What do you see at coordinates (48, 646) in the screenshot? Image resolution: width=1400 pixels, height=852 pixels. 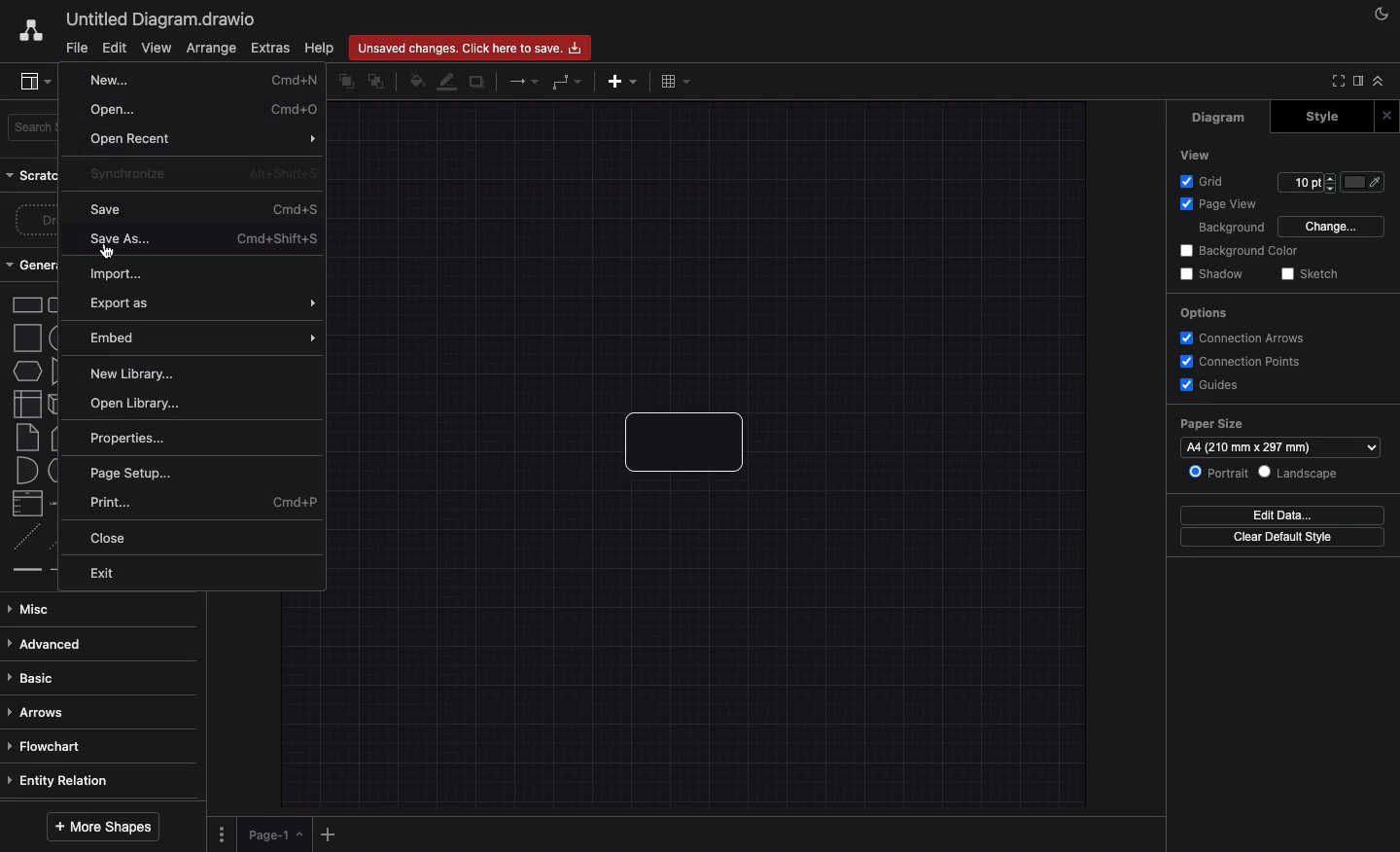 I see `Advanced` at bounding box center [48, 646].